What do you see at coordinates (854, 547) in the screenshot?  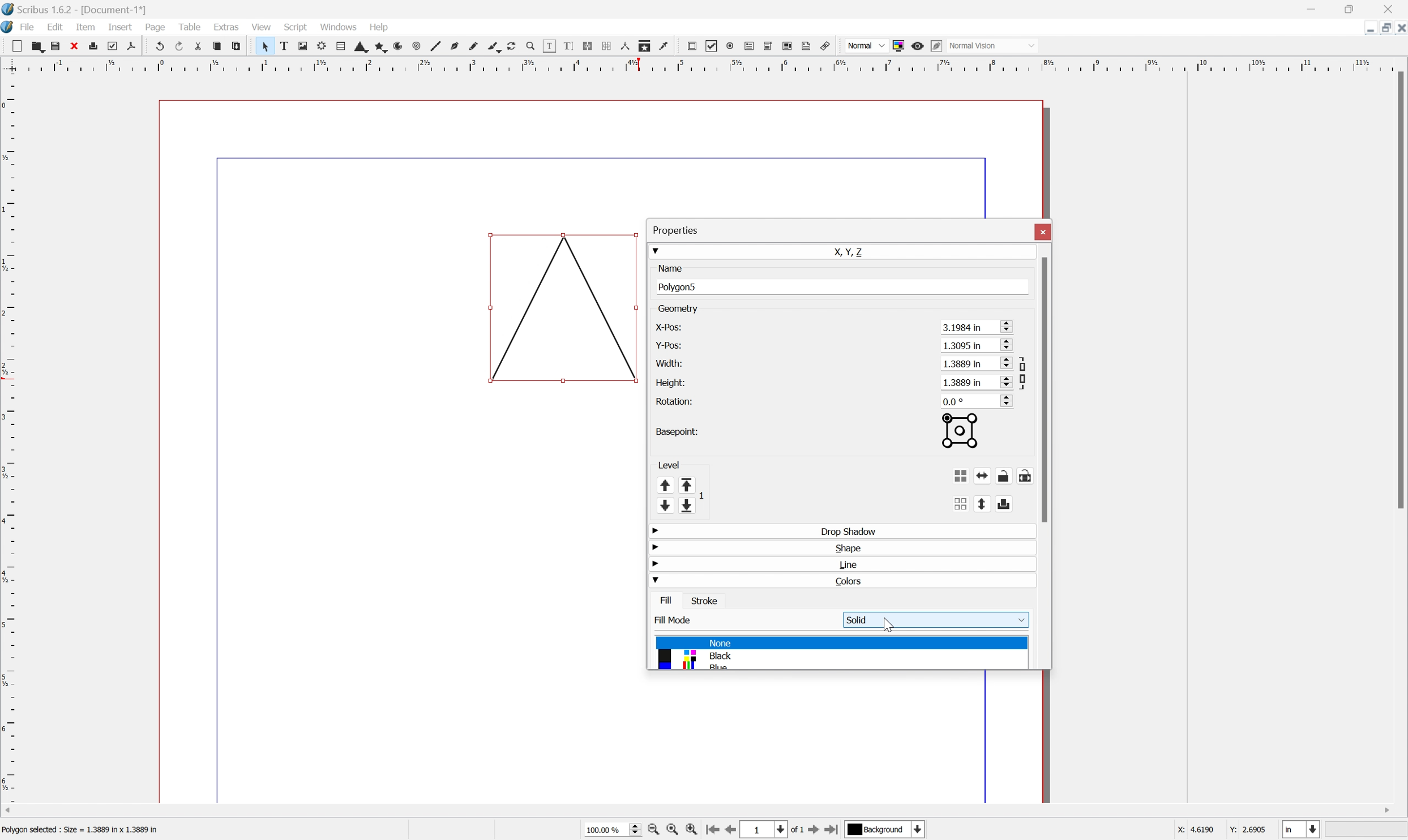 I see `Shape` at bounding box center [854, 547].